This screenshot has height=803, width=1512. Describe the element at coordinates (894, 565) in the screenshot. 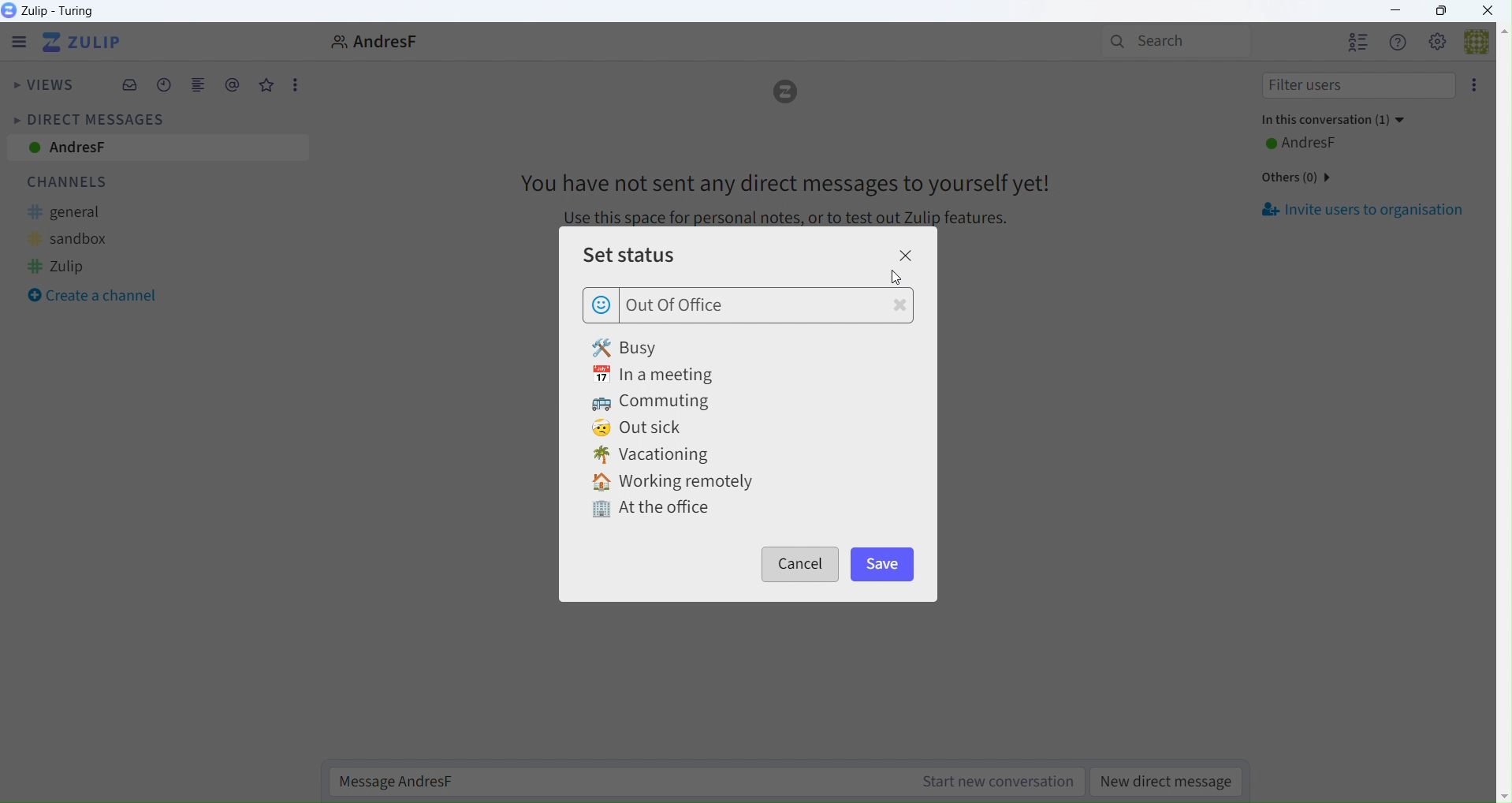

I see `Save` at that location.